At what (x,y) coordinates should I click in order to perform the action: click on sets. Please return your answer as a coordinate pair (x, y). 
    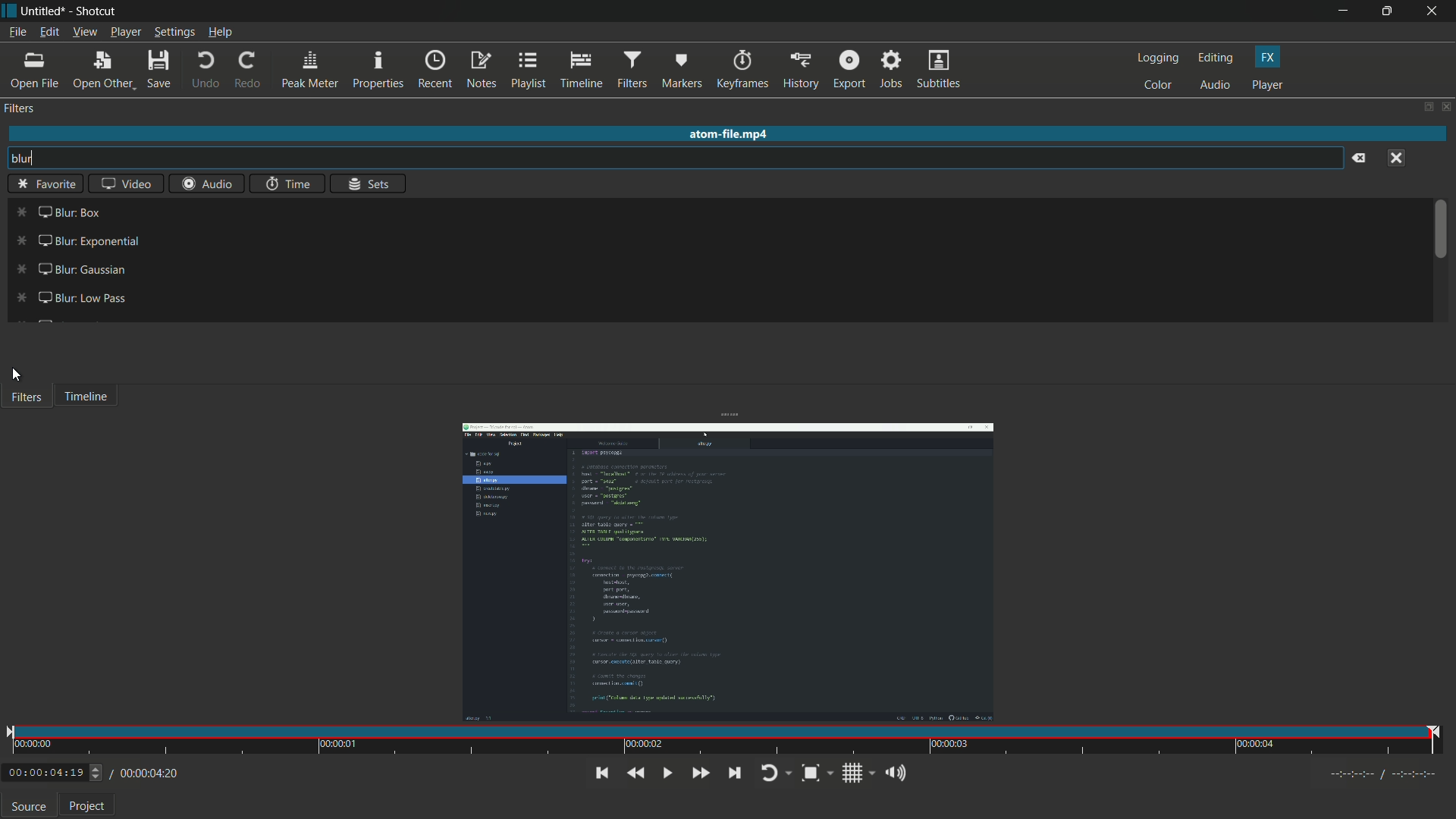
    Looking at the image, I should click on (371, 185).